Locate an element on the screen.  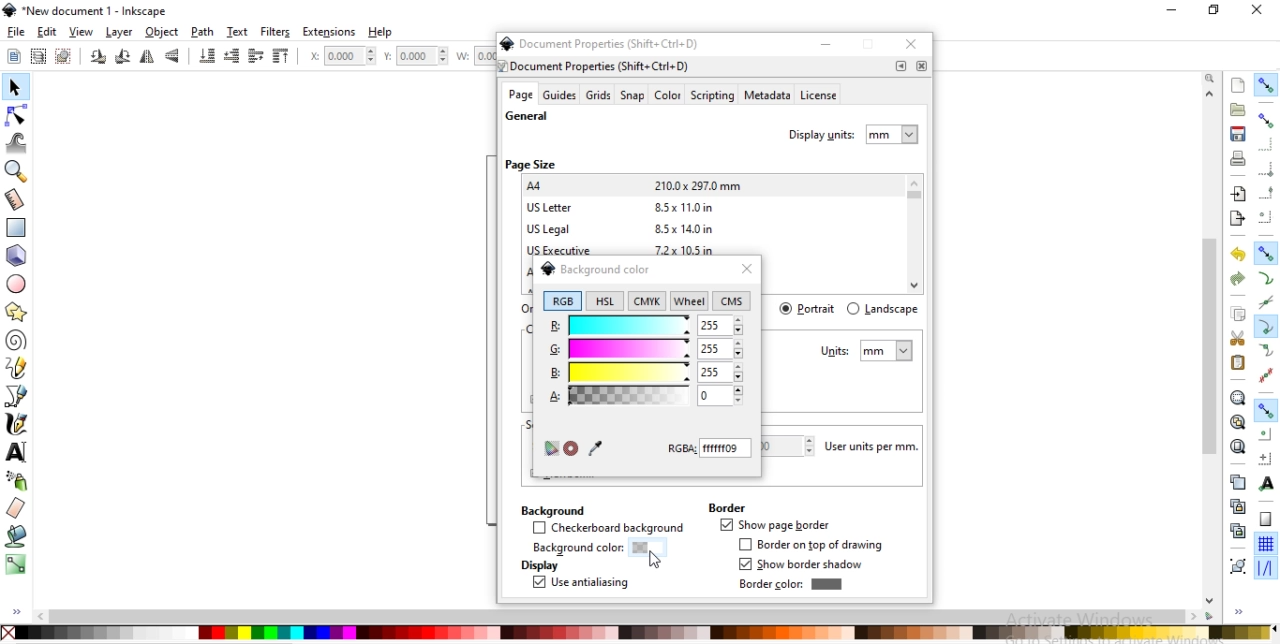
snap bounding box corners is located at coordinates (1266, 169).